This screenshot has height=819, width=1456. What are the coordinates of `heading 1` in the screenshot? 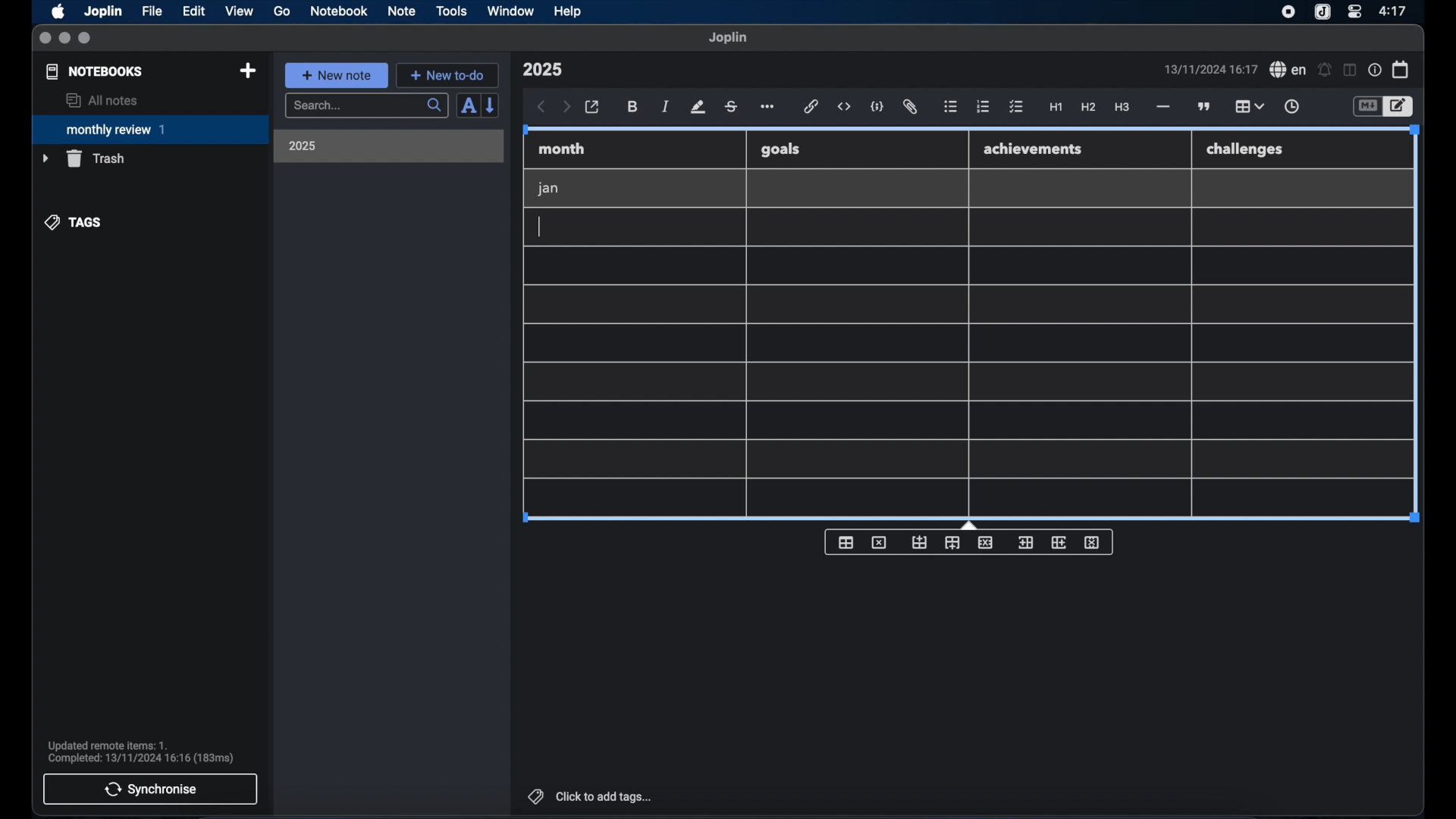 It's located at (1056, 108).